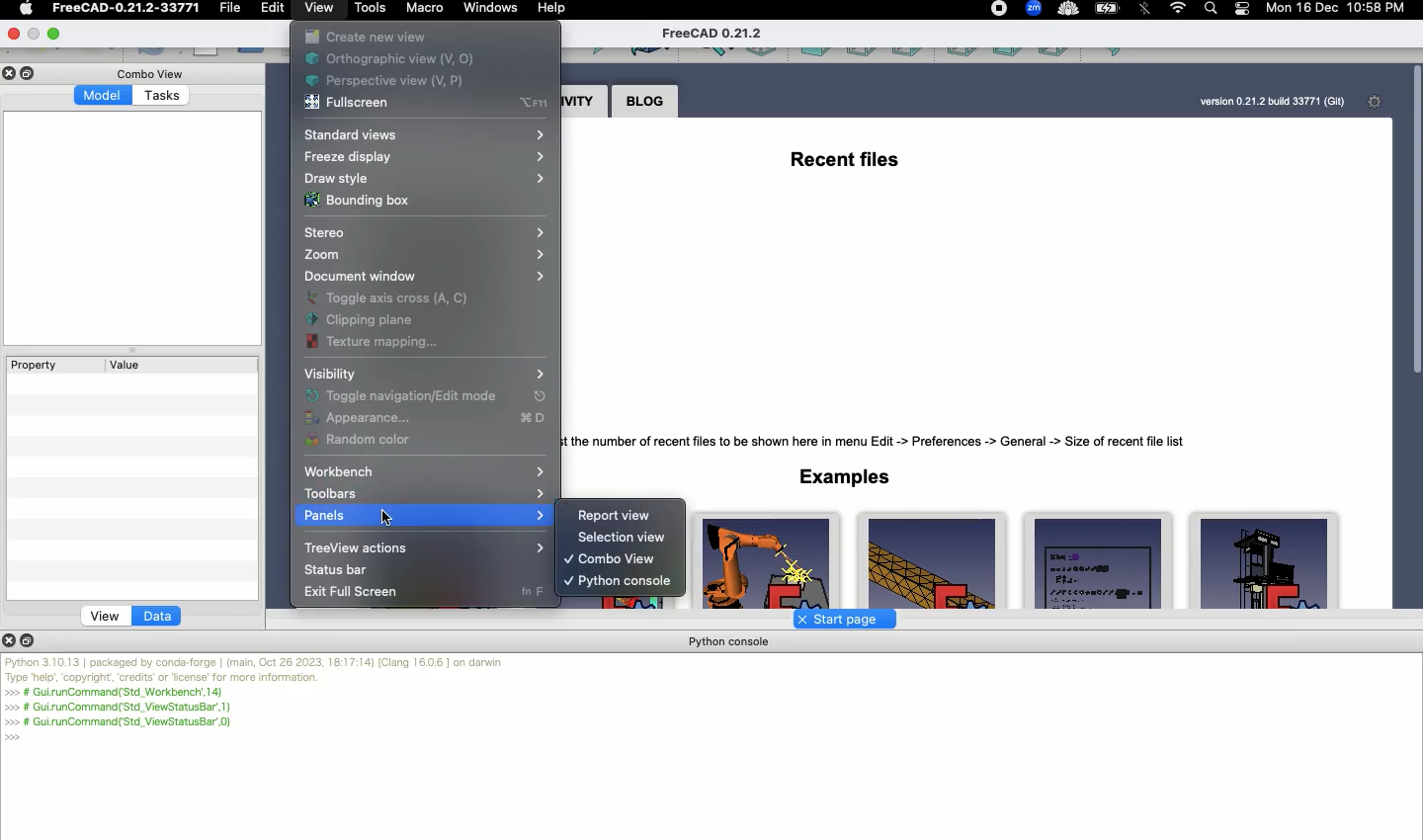 The width and height of the screenshot is (1423, 840). Describe the element at coordinates (372, 343) in the screenshot. I see `Texture mapping` at that location.